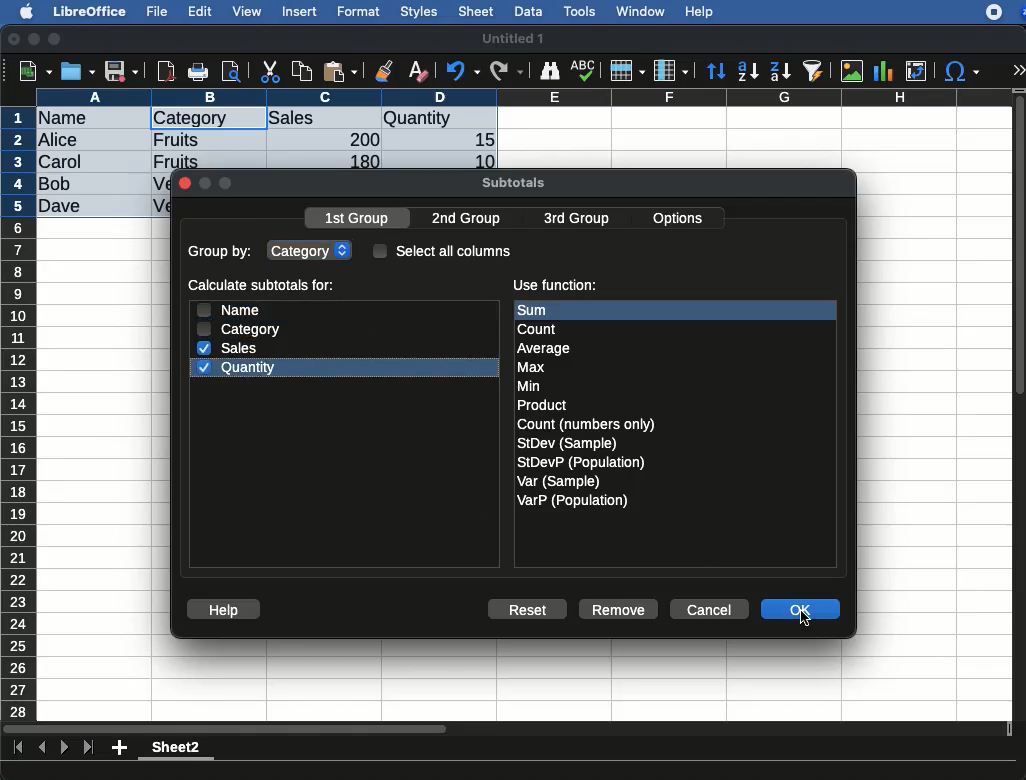 The height and width of the screenshot is (780, 1026). Describe the element at coordinates (77, 163) in the screenshot. I see `Carol` at that location.